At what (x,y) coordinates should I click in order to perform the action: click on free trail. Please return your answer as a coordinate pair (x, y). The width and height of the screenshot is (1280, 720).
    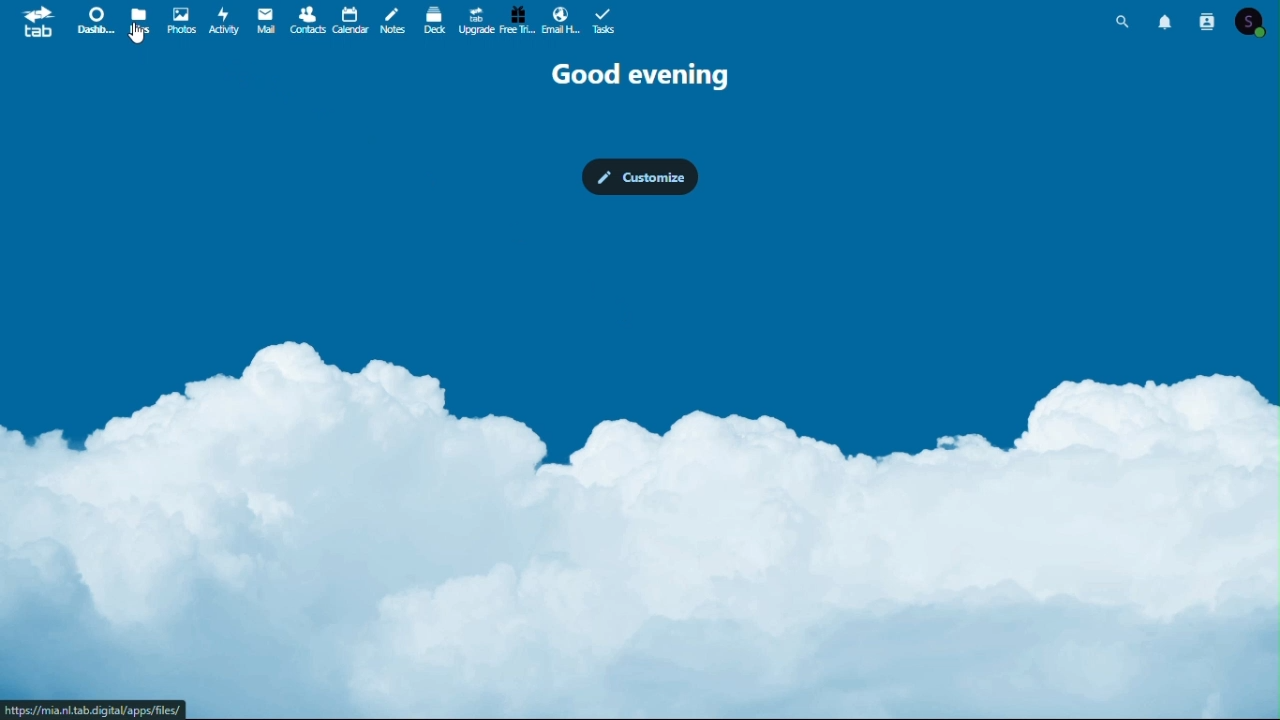
    Looking at the image, I should click on (517, 19).